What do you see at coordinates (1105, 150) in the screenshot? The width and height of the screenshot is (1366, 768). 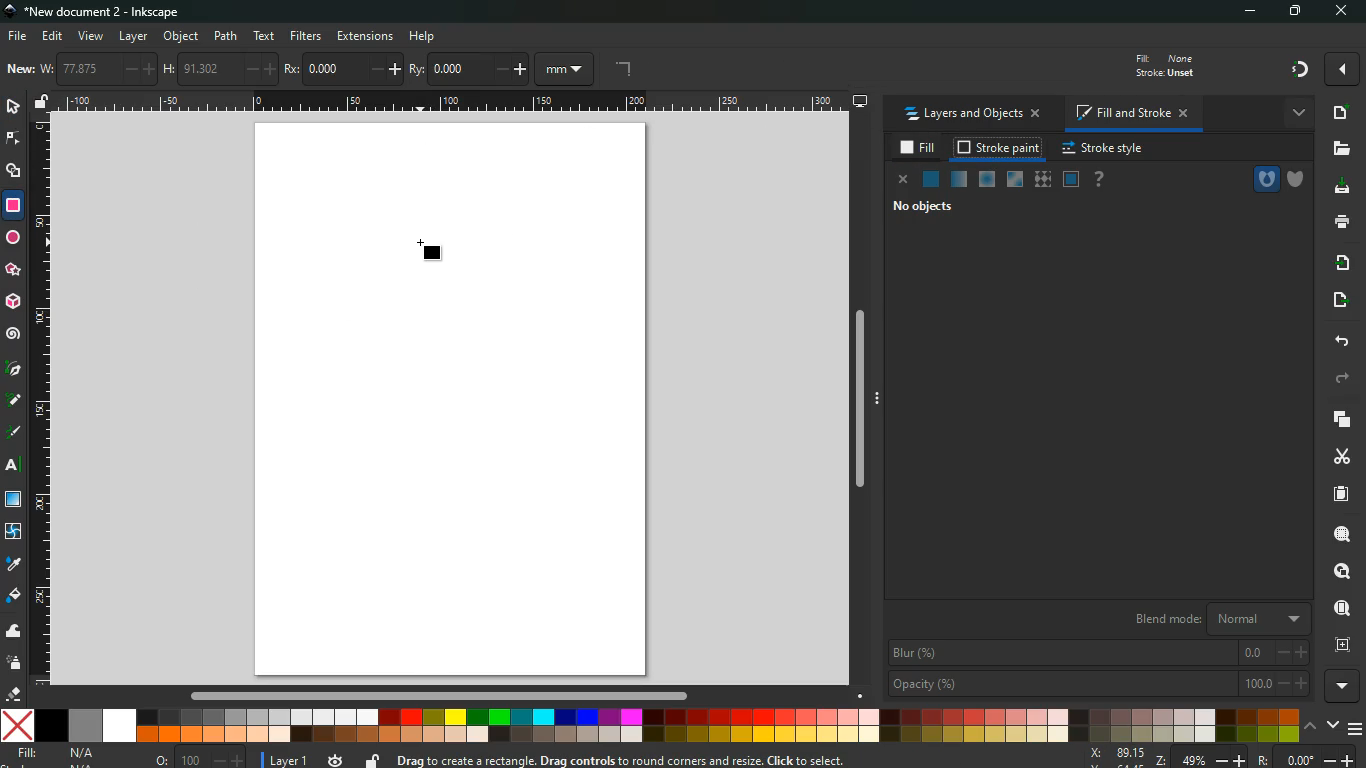 I see `stroke style` at bounding box center [1105, 150].